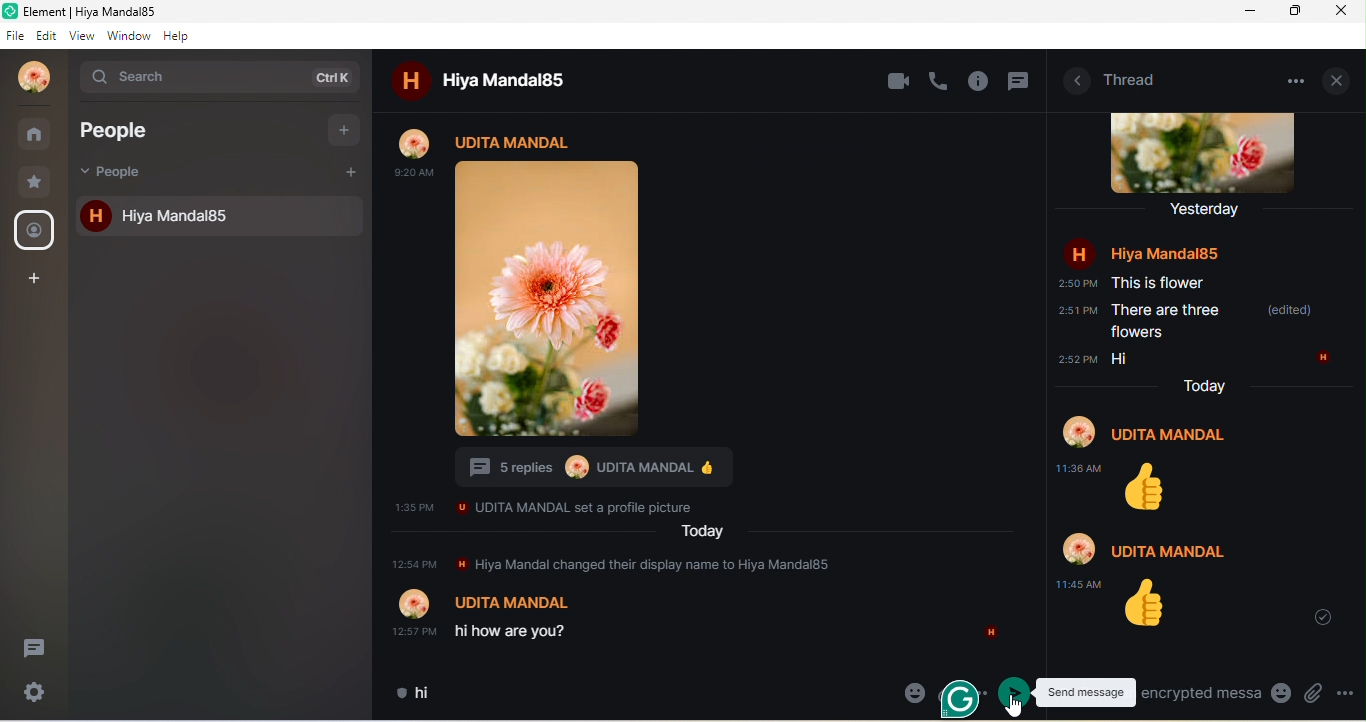  What do you see at coordinates (1145, 606) in the screenshot?
I see `Thumbs up emoji` at bounding box center [1145, 606].